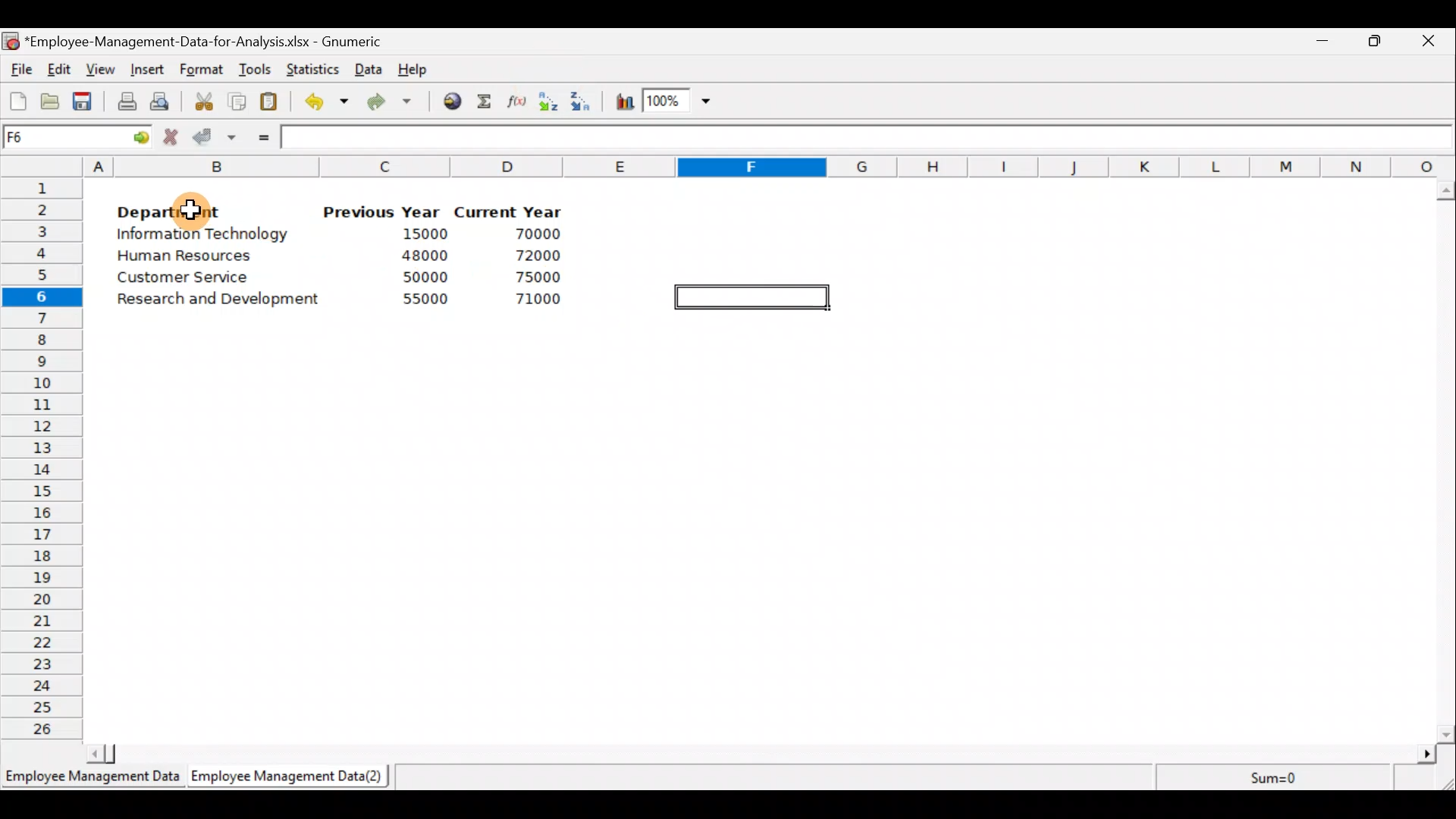 Image resolution: width=1456 pixels, height=819 pixels. Describe the element at coordinates (201, 71) in the screenshot. I see `Format` at that location.